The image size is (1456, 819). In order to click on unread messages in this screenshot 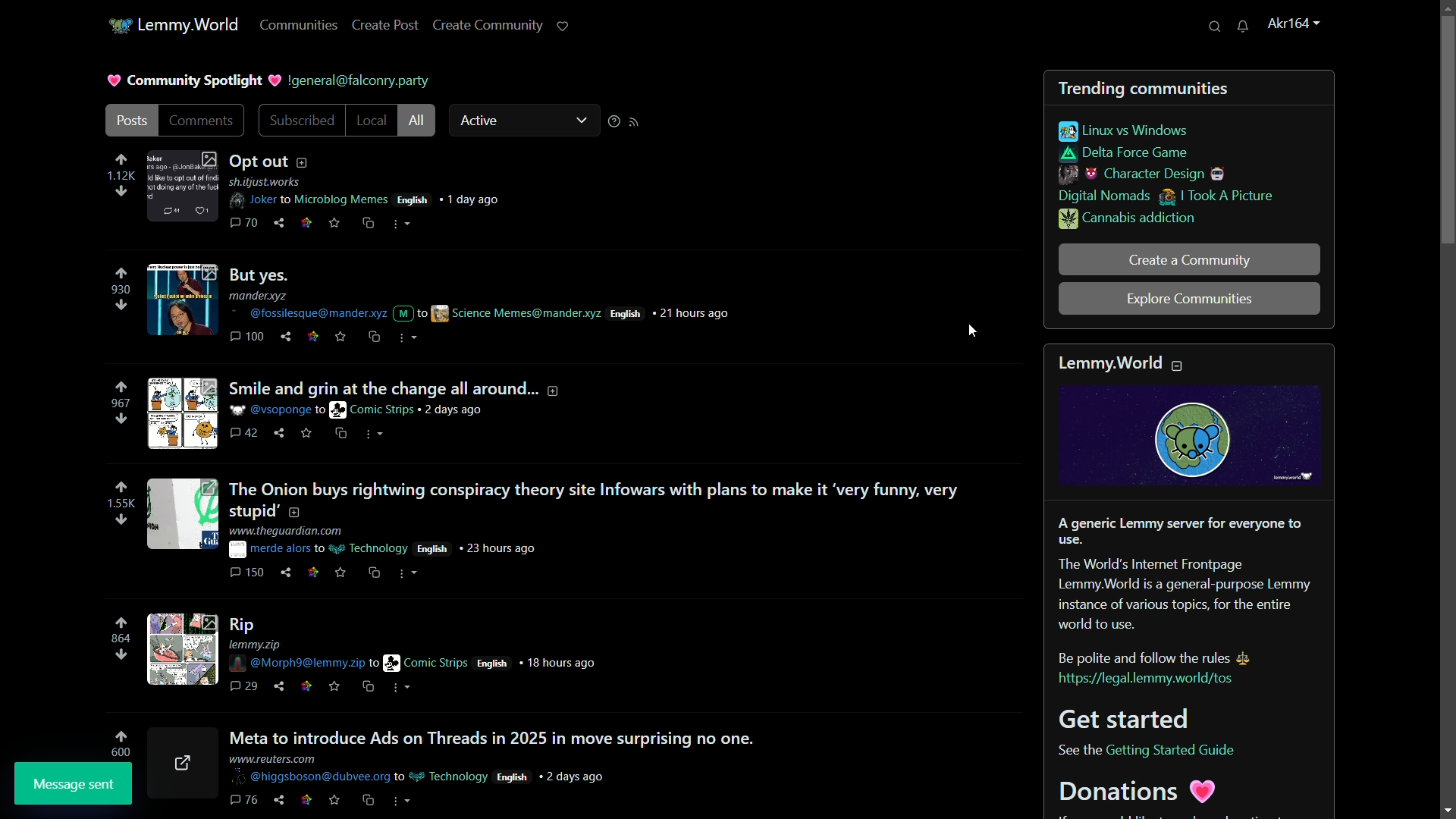, I will do `click(1244, 25)`.